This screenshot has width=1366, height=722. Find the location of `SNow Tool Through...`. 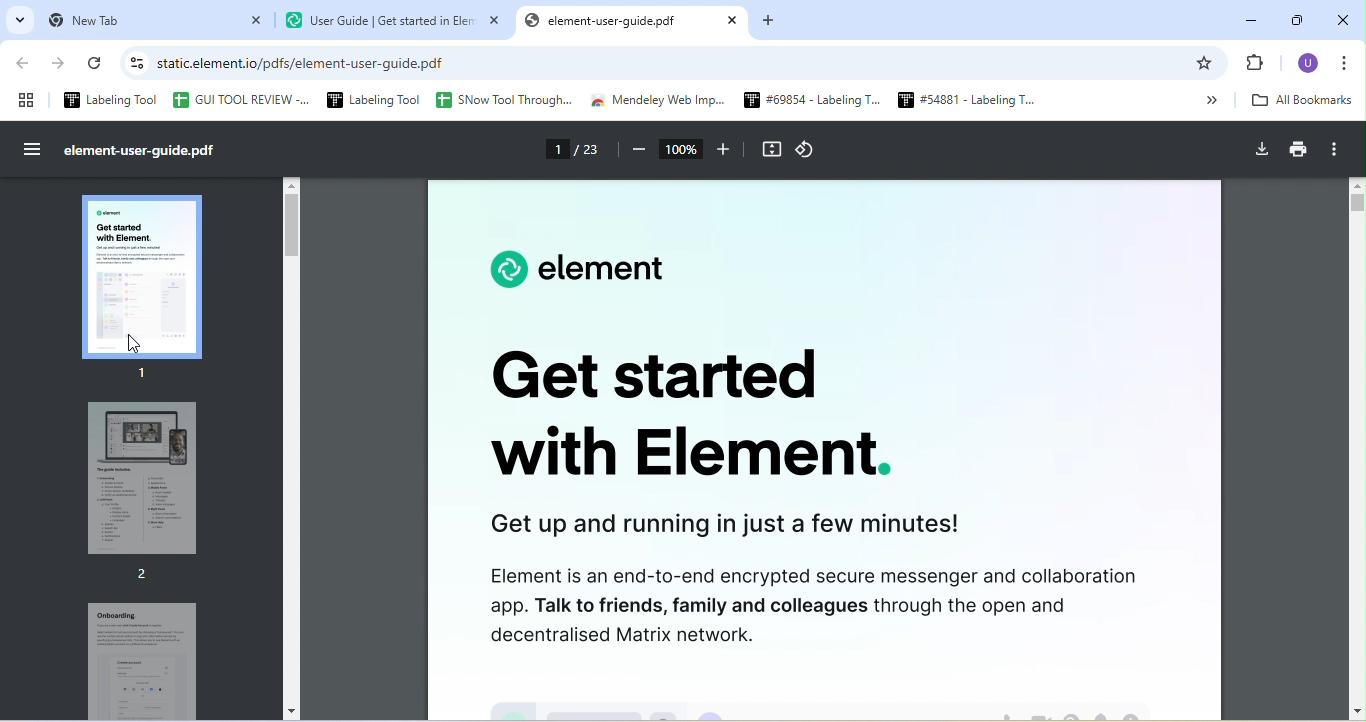

SNow Tool Through... is located at coordinates (504, 101).